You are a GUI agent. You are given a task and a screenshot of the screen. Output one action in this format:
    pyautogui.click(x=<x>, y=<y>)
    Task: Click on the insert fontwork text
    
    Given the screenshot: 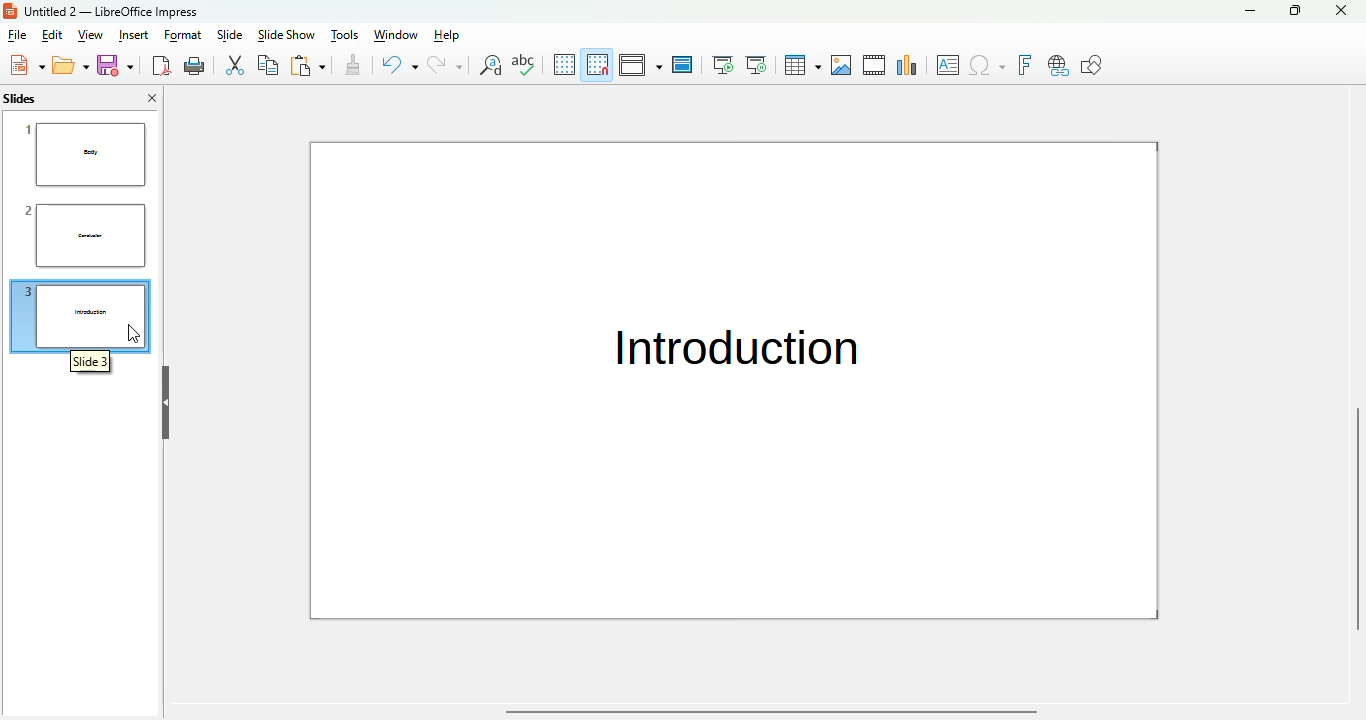 What is the action you would take?
    pyautogui.click(x=1024, y=65)
    